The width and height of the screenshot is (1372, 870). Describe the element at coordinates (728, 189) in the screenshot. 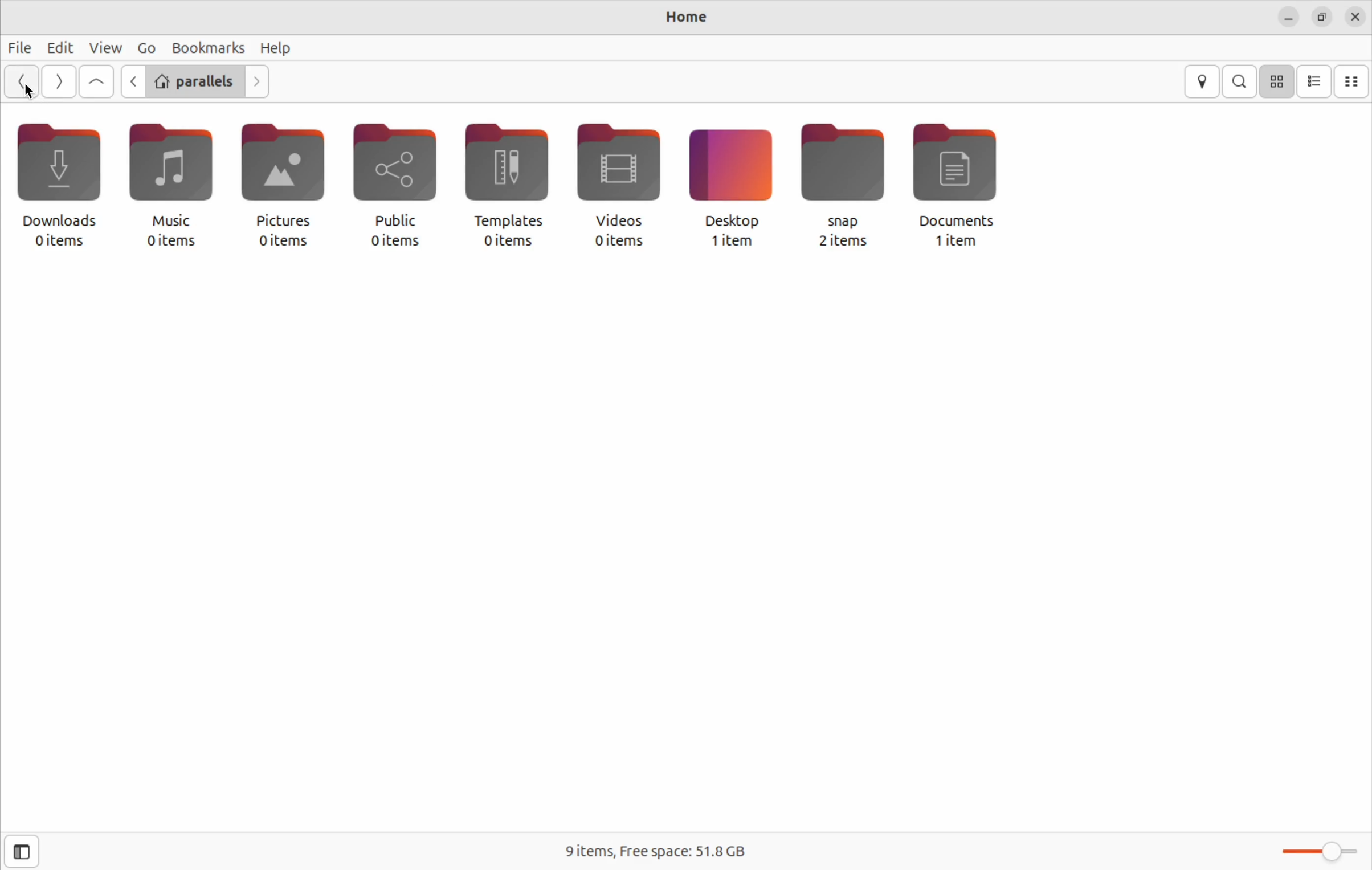

I see `desktop 1 item` at that location.